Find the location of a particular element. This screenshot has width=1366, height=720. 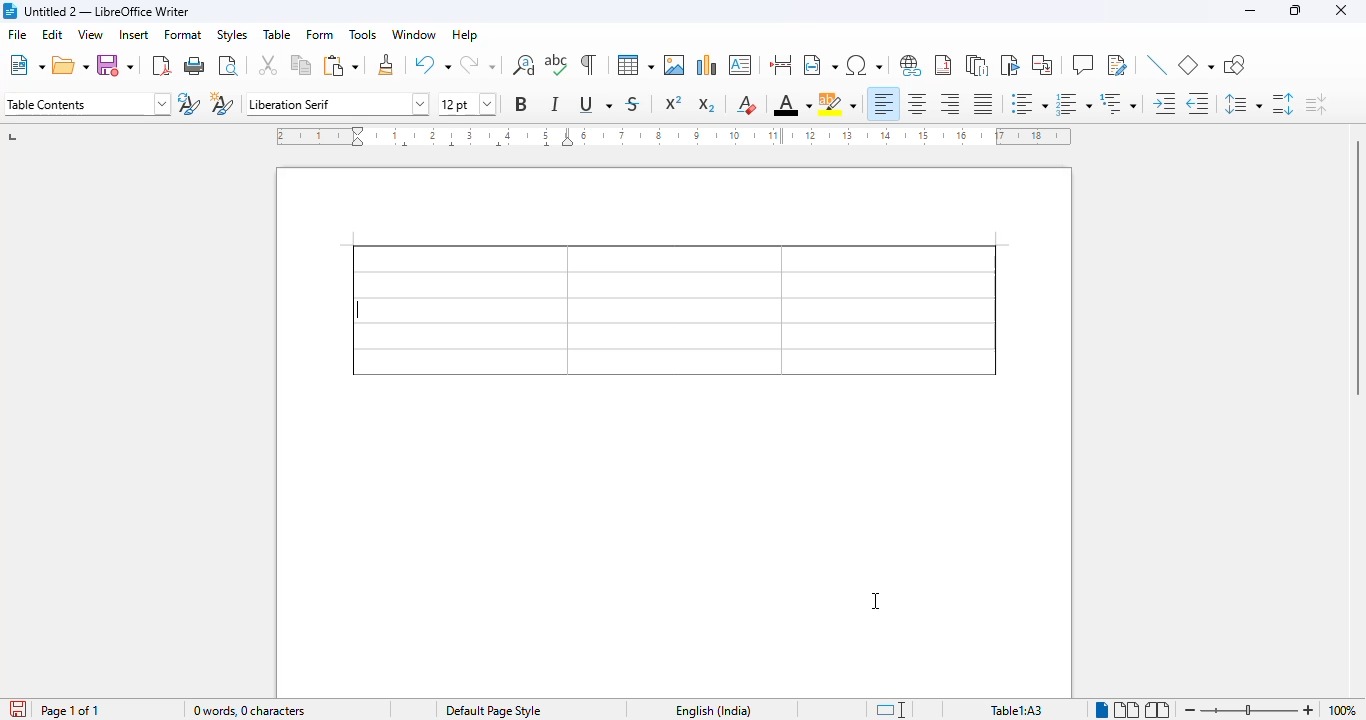

update new selection is located at coordinates (189, 103).